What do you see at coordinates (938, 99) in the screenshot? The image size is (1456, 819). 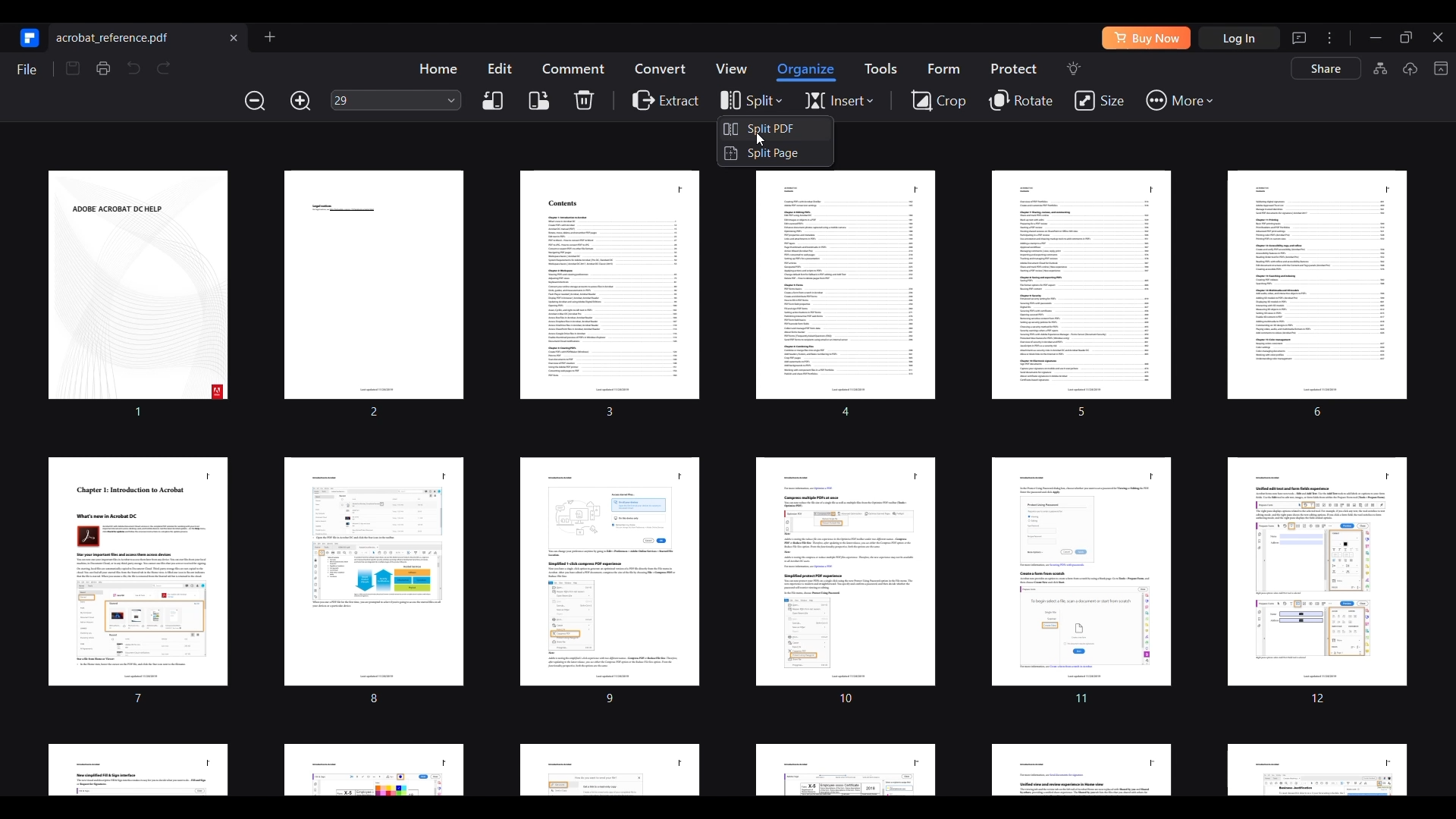 I see `Crop page` at bounding box center [938, 99].